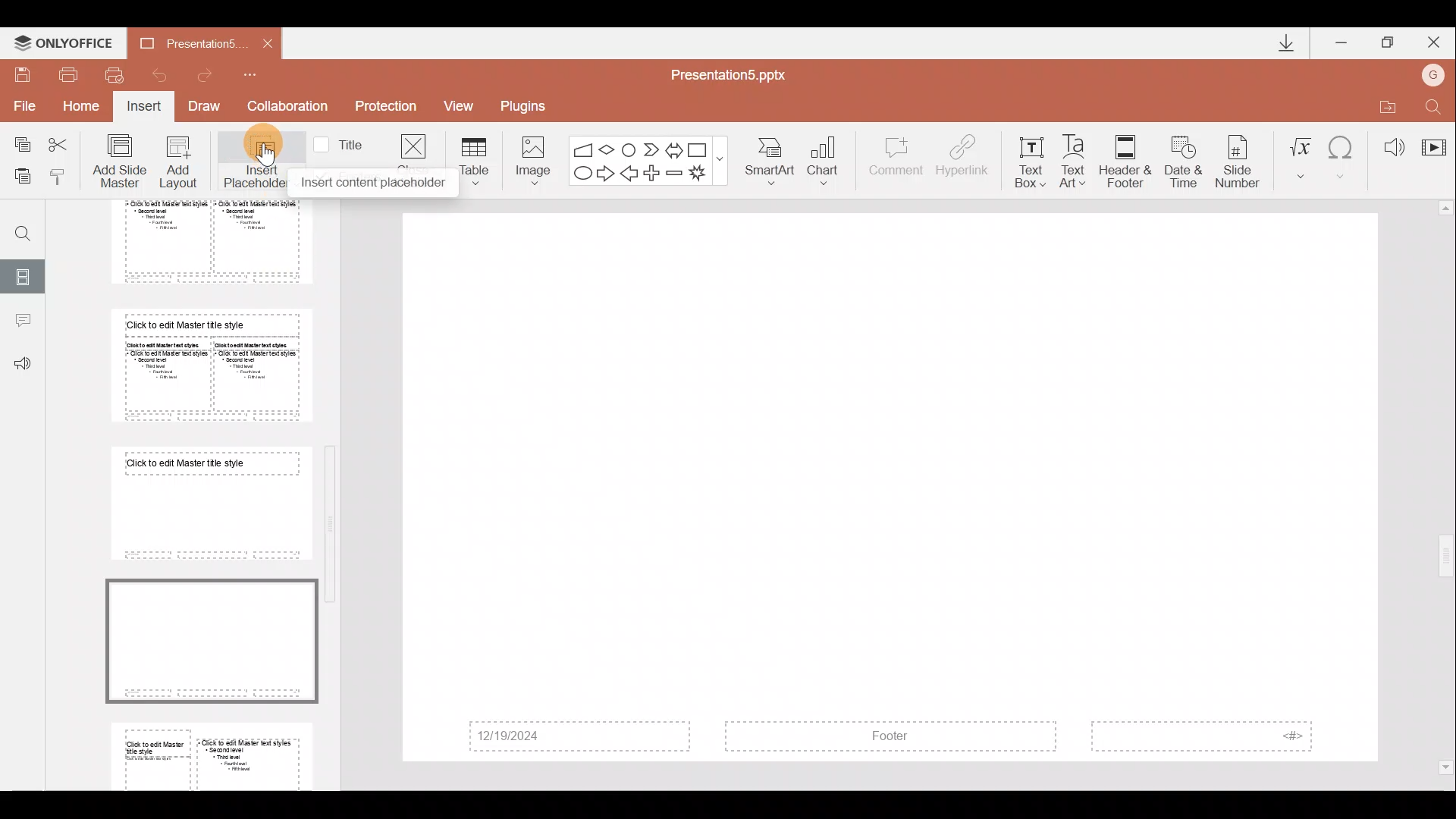 The width and height of the screenshot is (1456, 819). I want to click on Image, so click(529, 158).